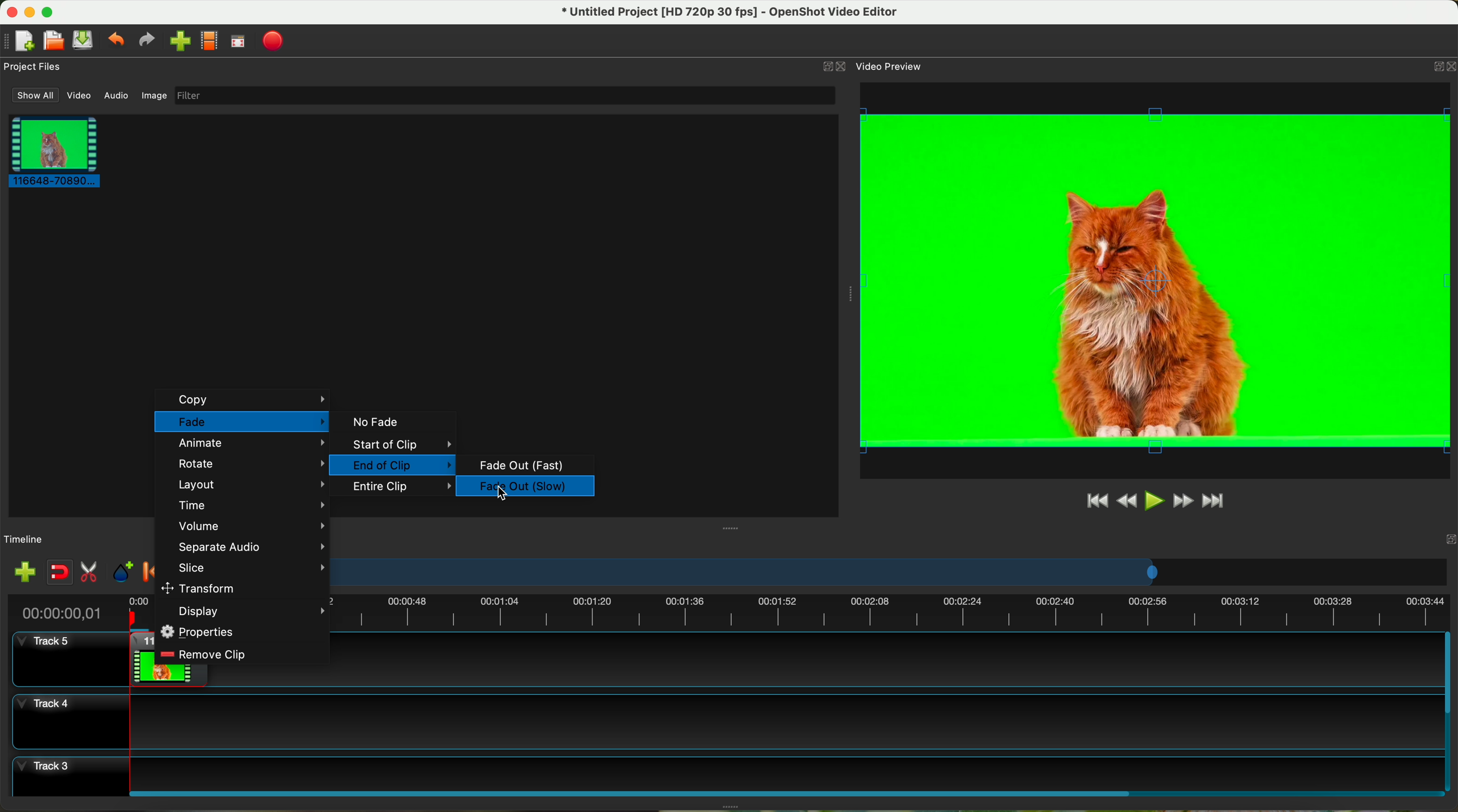  What do you see at coordinates (252, 612) in the screenshot?
I see `display` at bounding box center [252, 612].